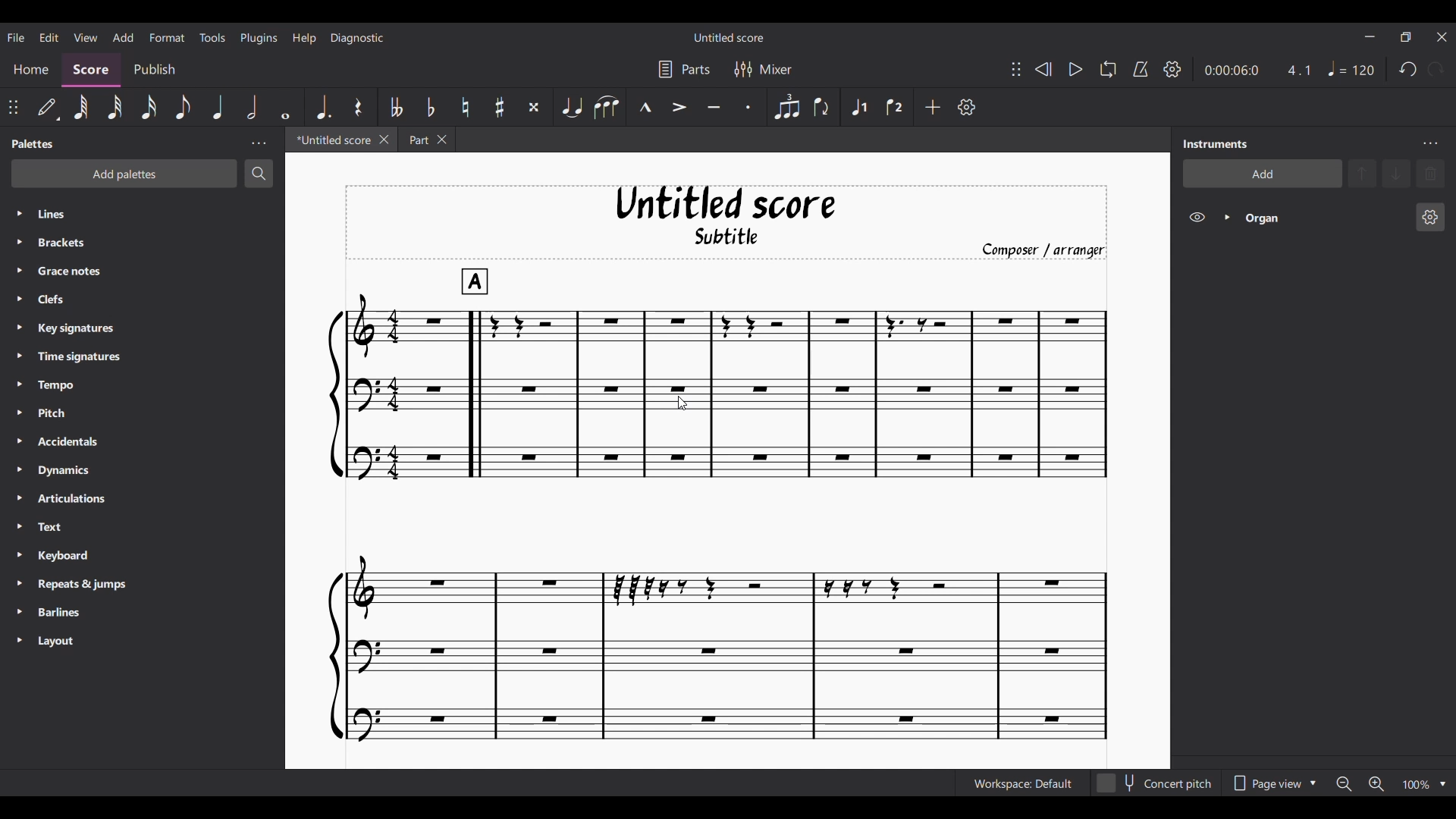 The height and width of the screenshot is (819, 1456). I want to click on Flip direction, so click(822, 108).